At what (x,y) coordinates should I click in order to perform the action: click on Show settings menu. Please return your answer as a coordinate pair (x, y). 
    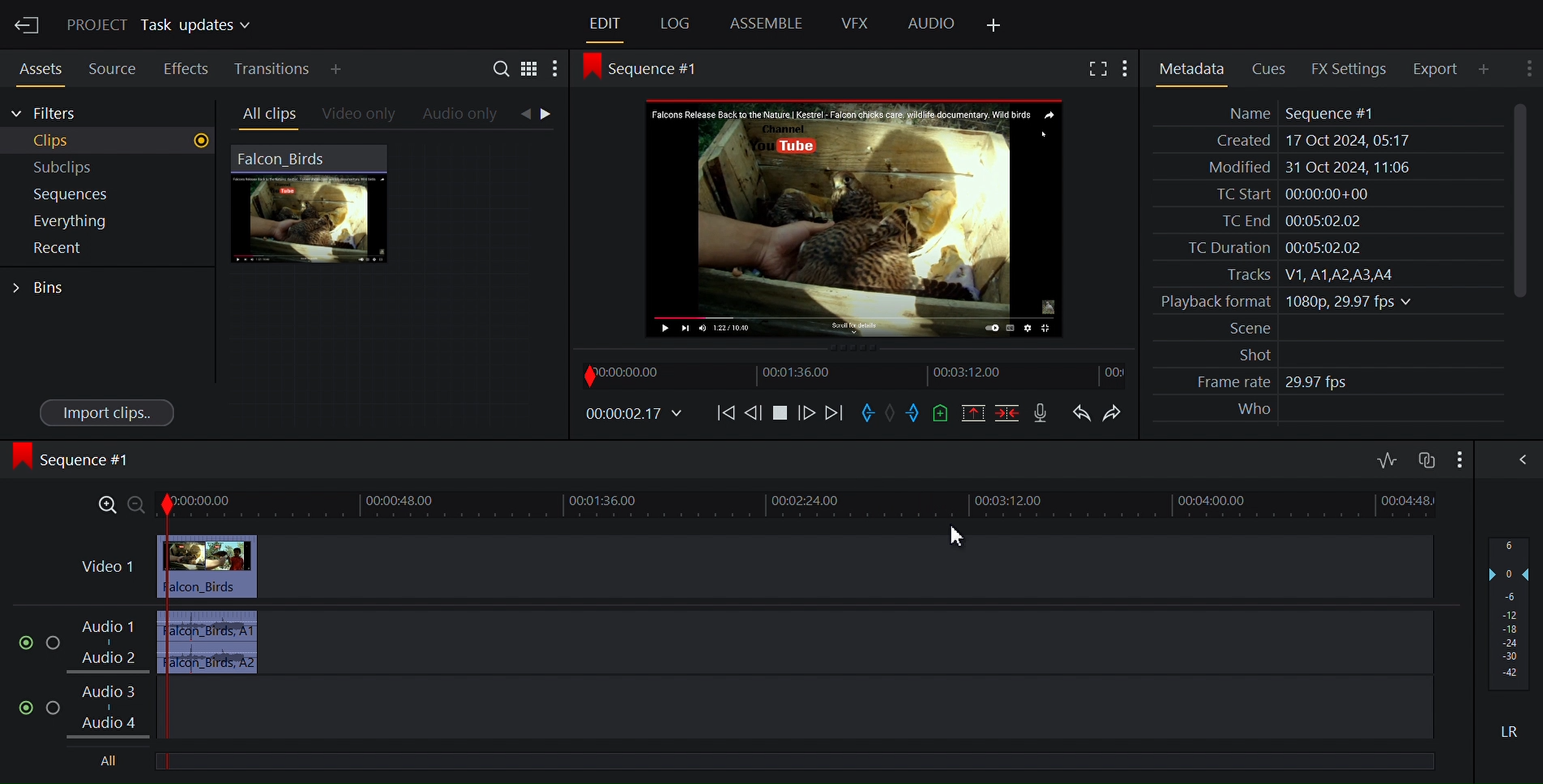
    Looking at the image, I should click on (557, 67).